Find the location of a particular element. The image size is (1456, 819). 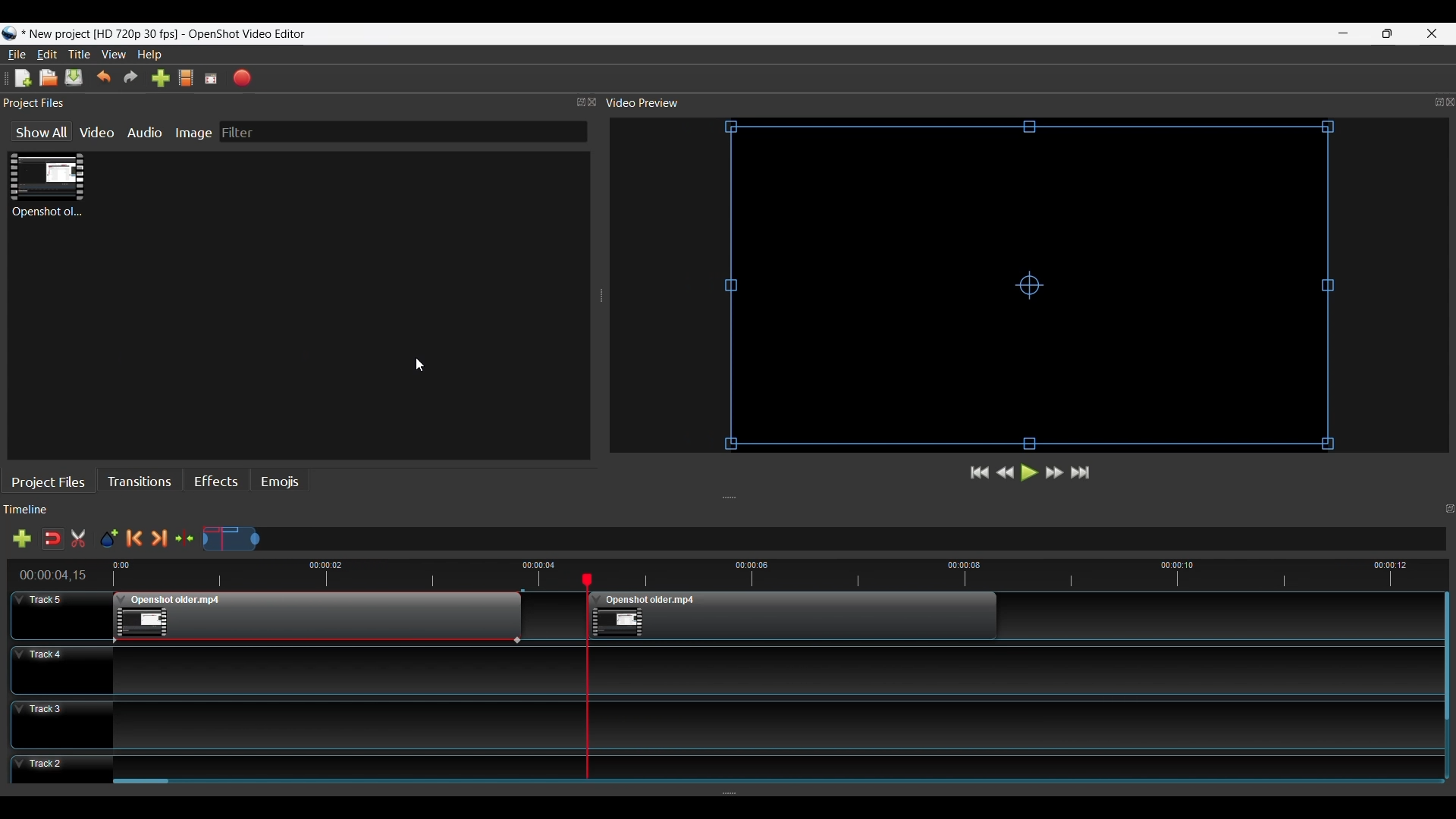

Next Marker is located at coordinates (162, 538).